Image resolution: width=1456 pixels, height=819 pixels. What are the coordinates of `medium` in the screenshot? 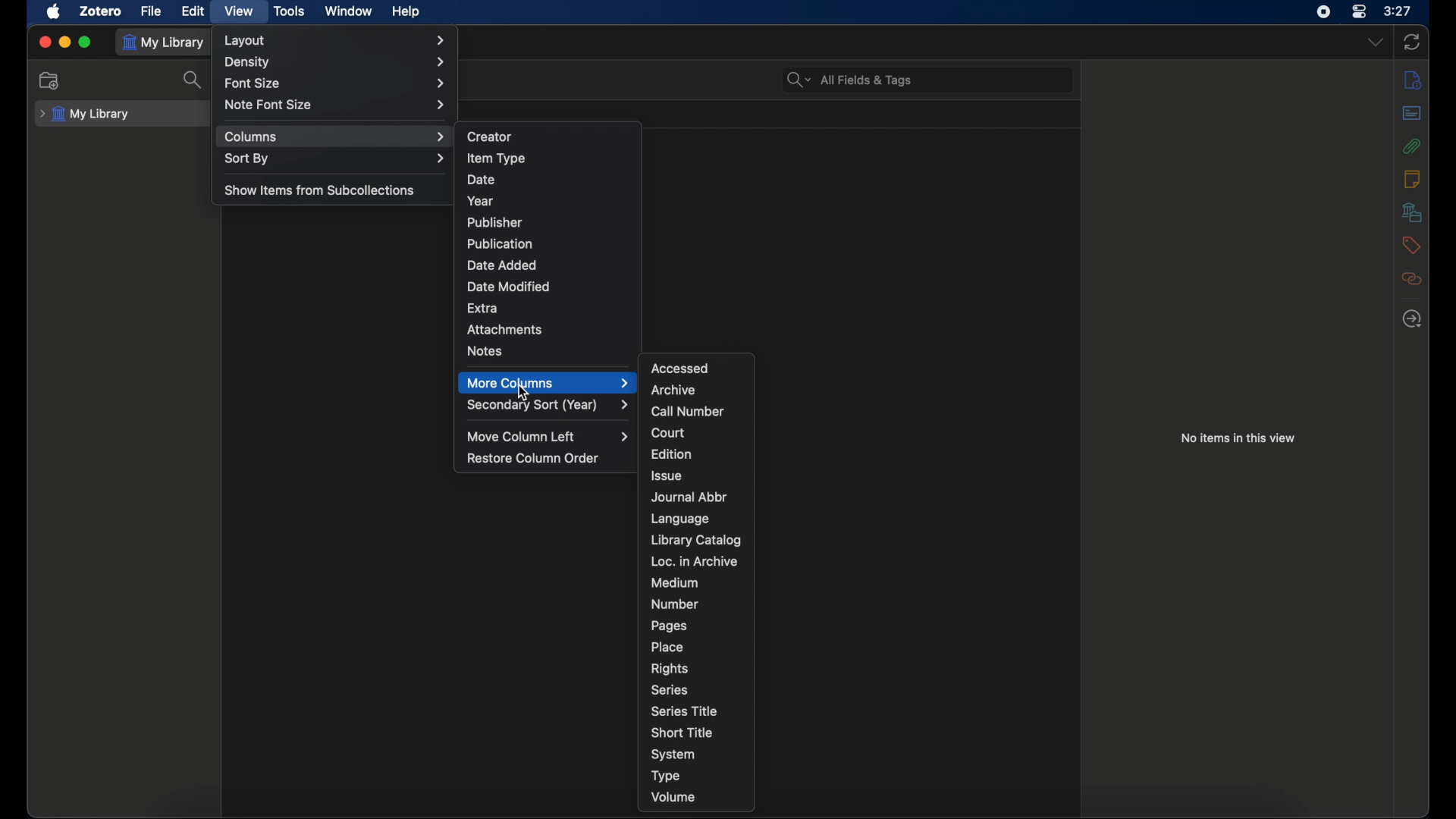 It's located at (674, 583).